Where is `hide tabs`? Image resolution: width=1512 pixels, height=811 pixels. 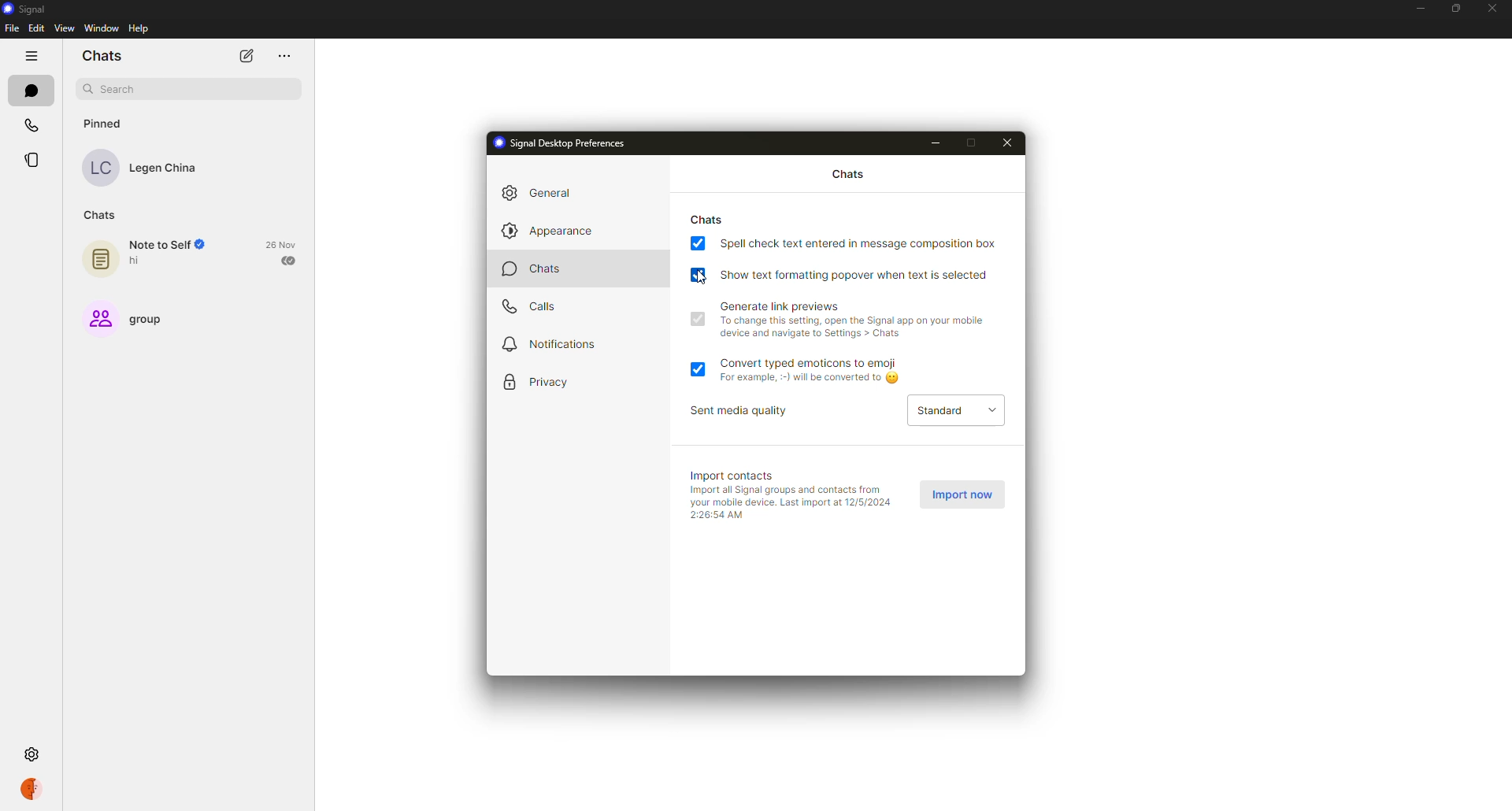 hide tabs is located at coordinates (31, 55).